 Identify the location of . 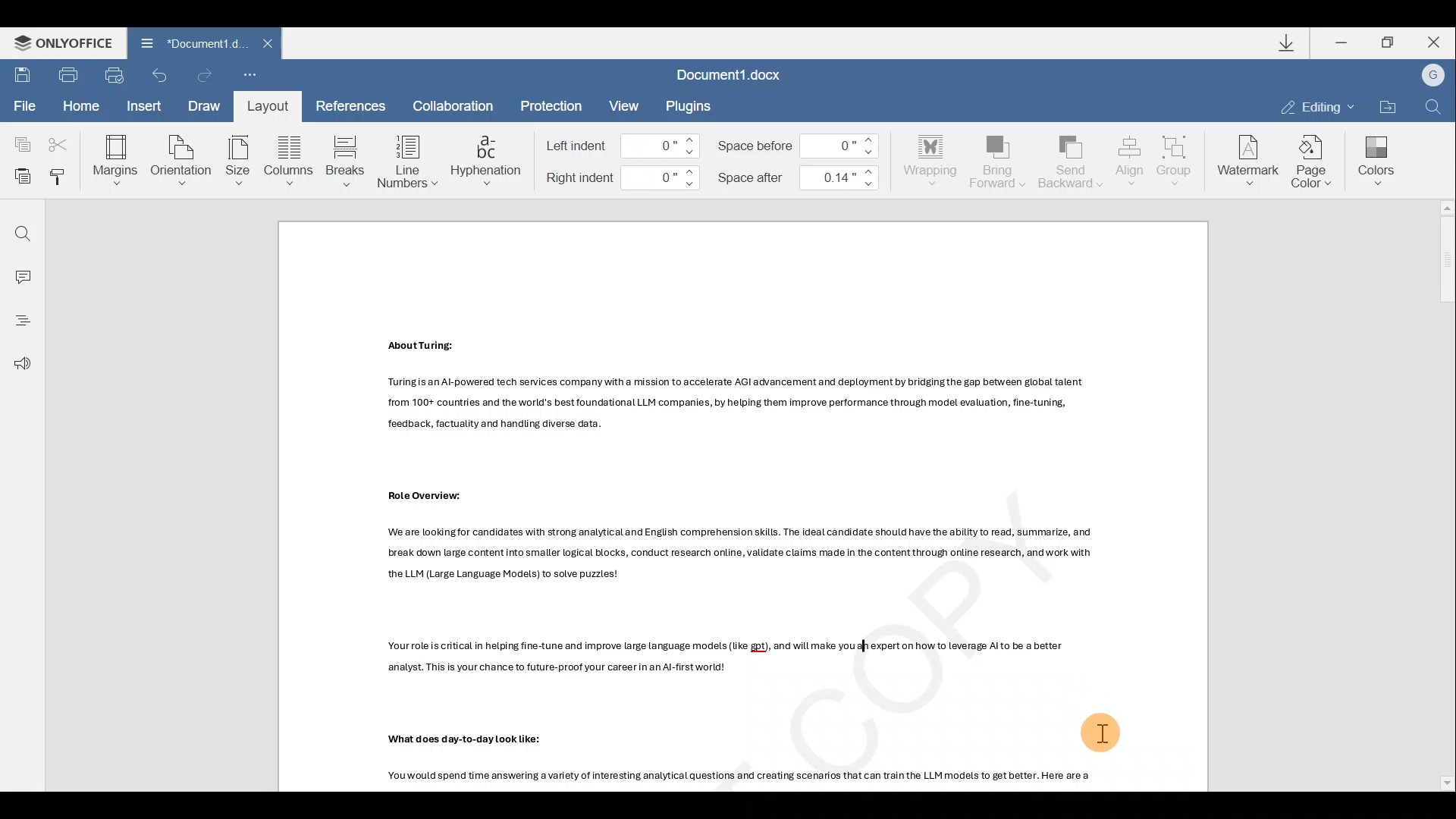
(429, 495).